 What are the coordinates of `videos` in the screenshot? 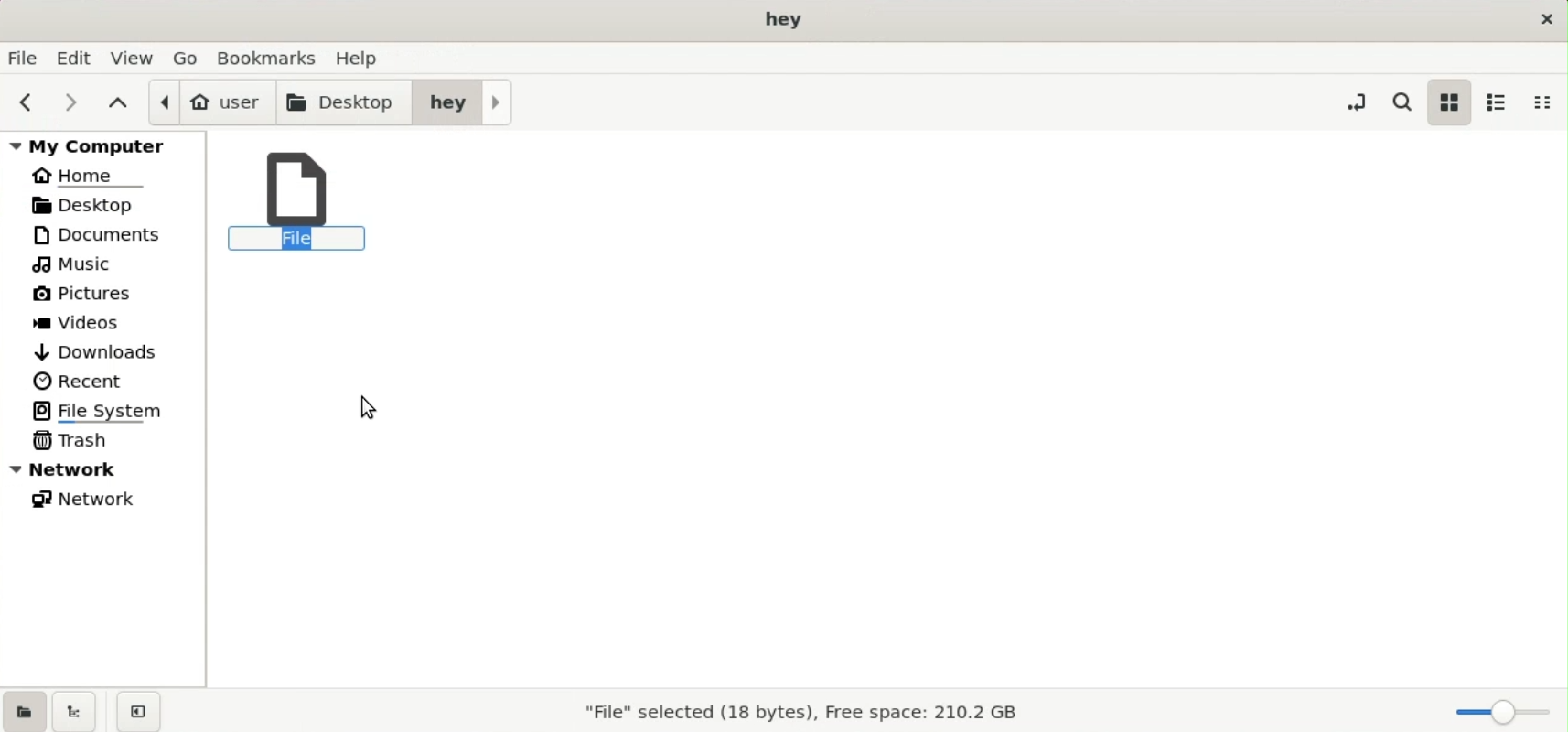 It's located at (83, 325).